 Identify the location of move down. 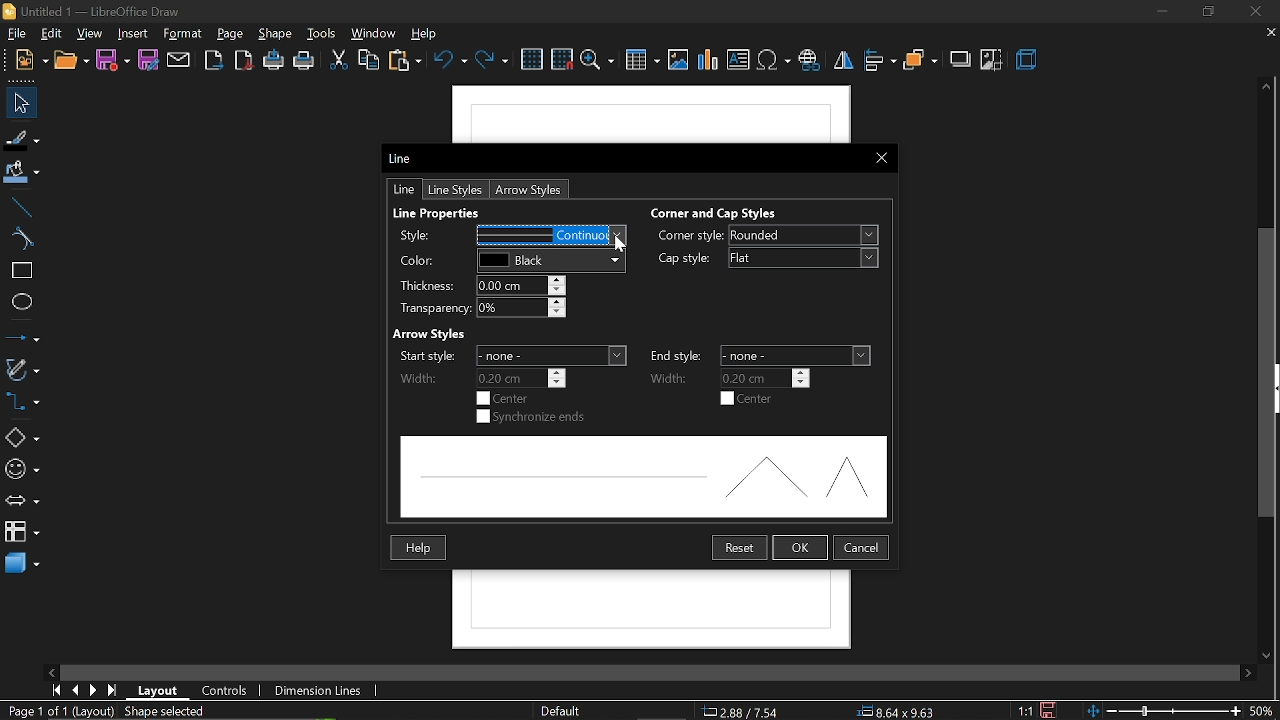
(1270, 656).